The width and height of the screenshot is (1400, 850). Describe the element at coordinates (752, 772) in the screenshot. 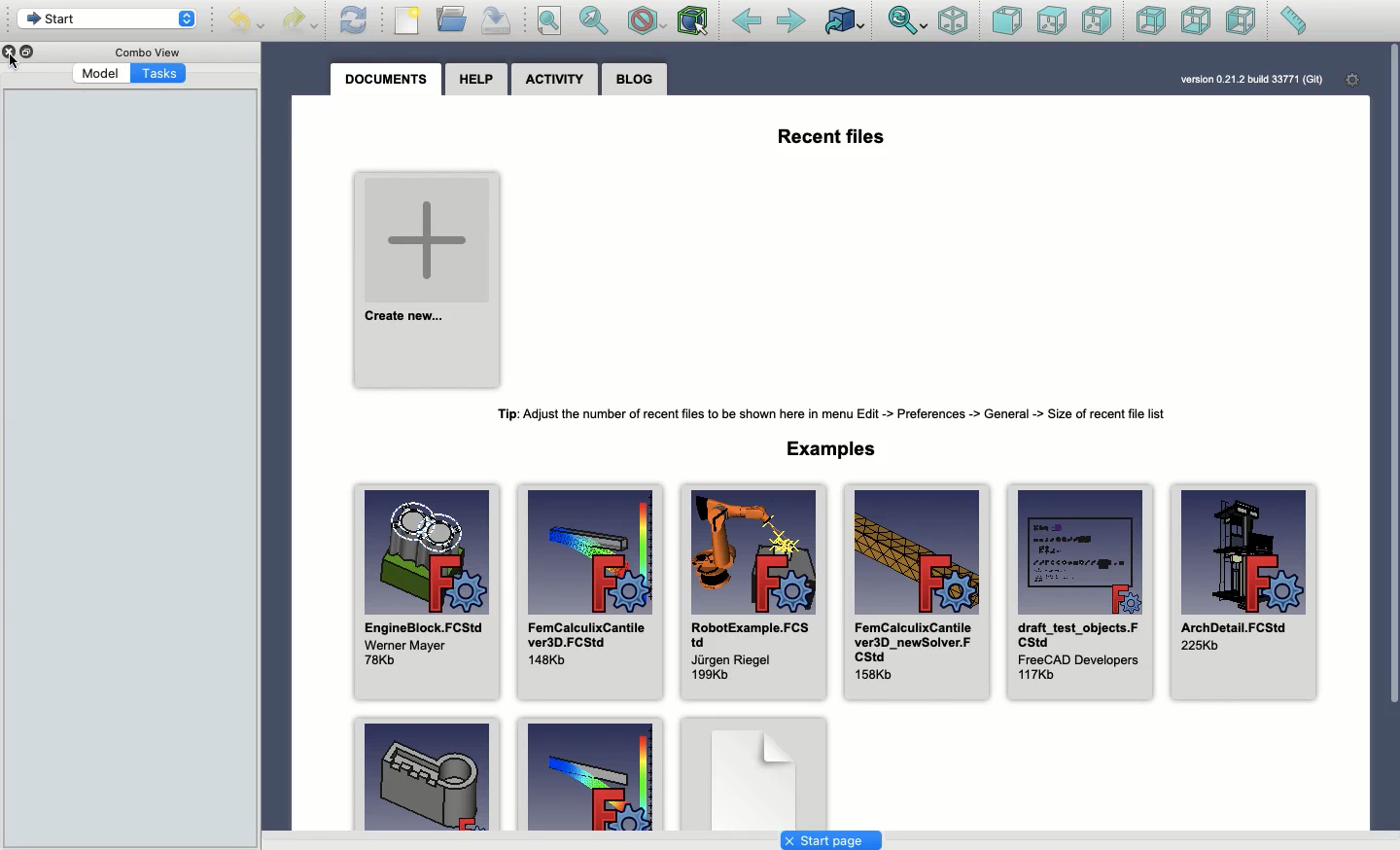

I see `Example` at that location.